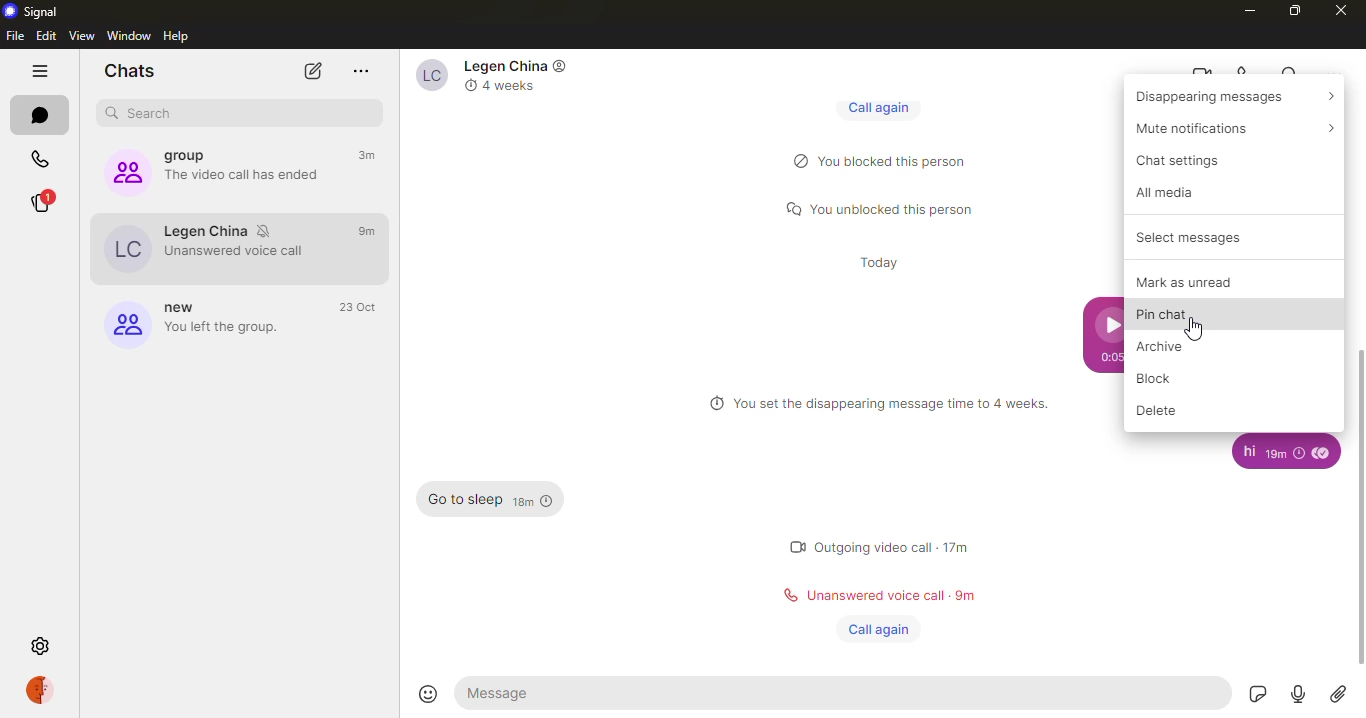  Describe the element at coordinates (883, 262) in the screenshot. I see `time` at that location.